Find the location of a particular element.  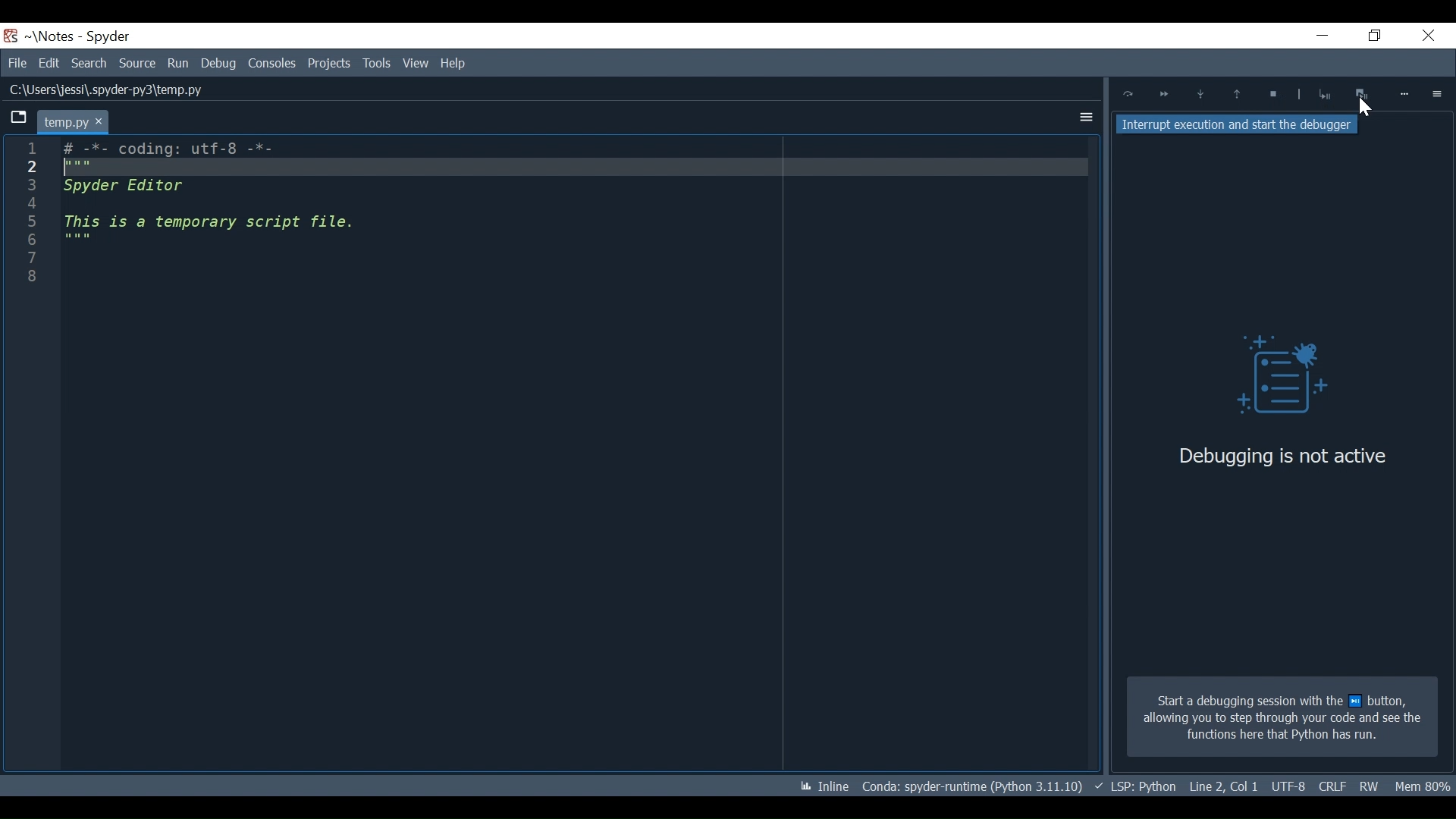

File Permission is located at coordinates (1370, 786).